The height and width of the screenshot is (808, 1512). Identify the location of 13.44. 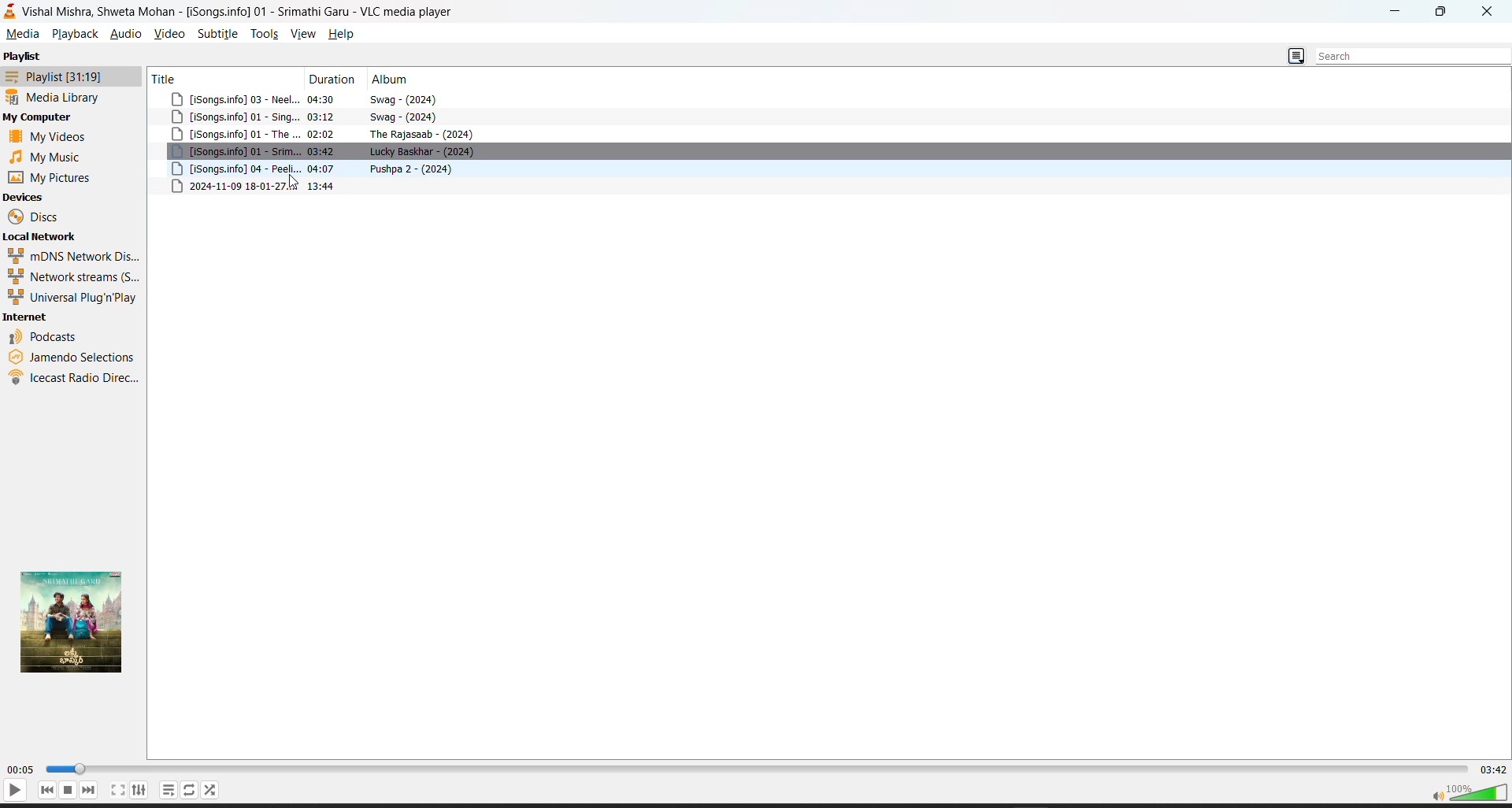
(324, 186).